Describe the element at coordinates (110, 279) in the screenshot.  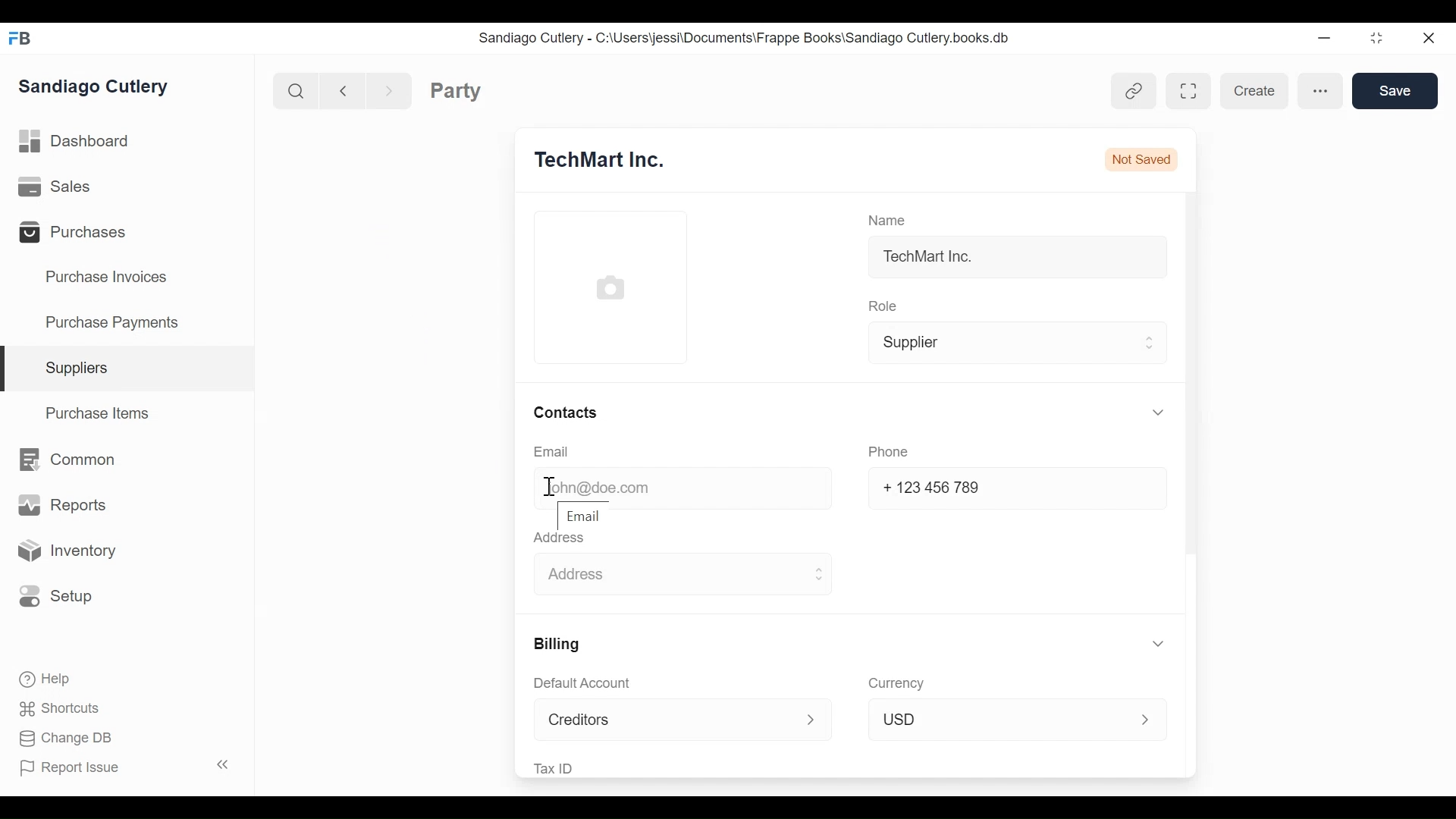
I see `Purchase Invoices` at that location.